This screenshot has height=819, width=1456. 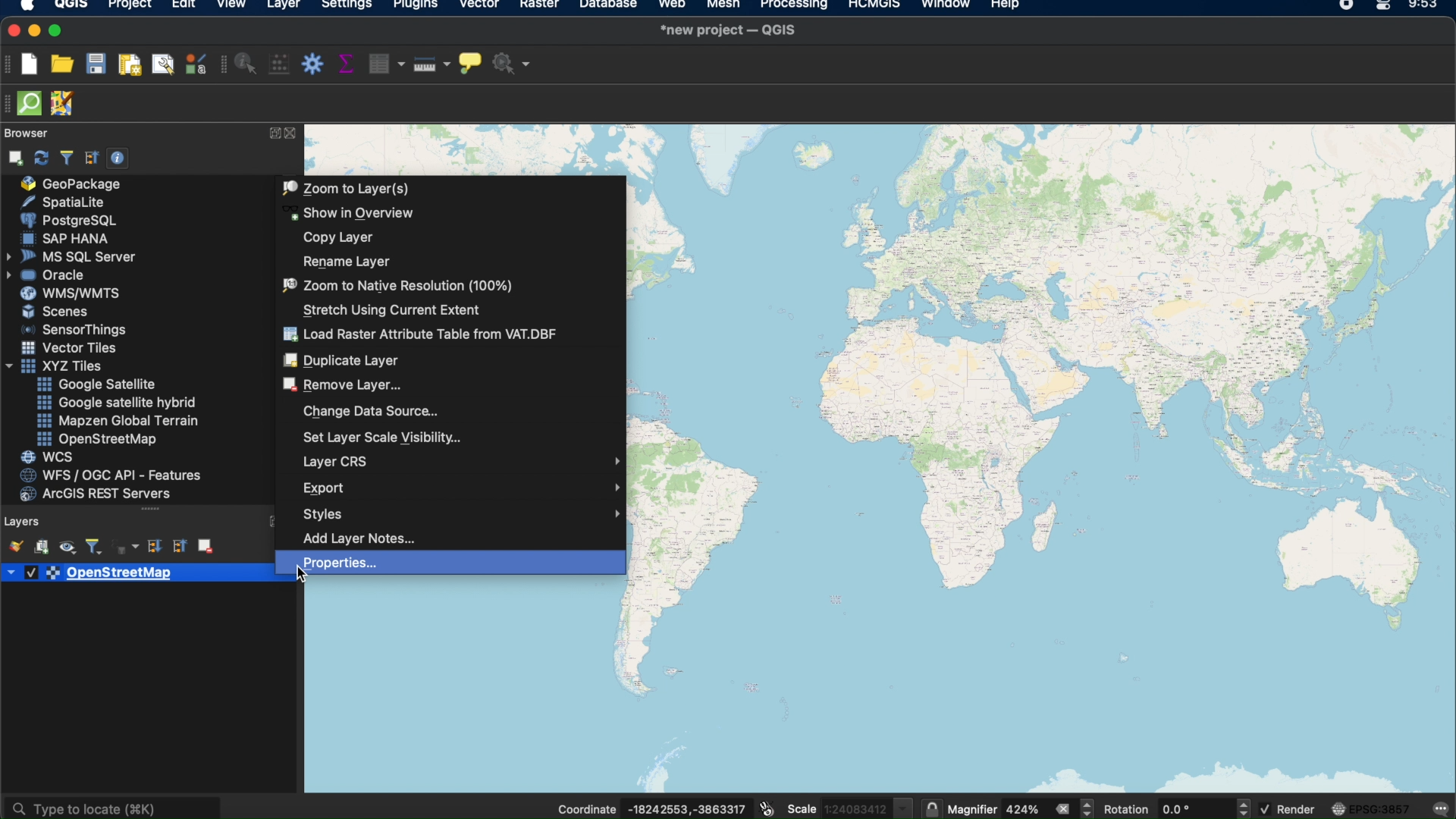 What do you see at coordinates (96, 440) in the screenshot?
I see `open street map` at bounding box center [96, 440].